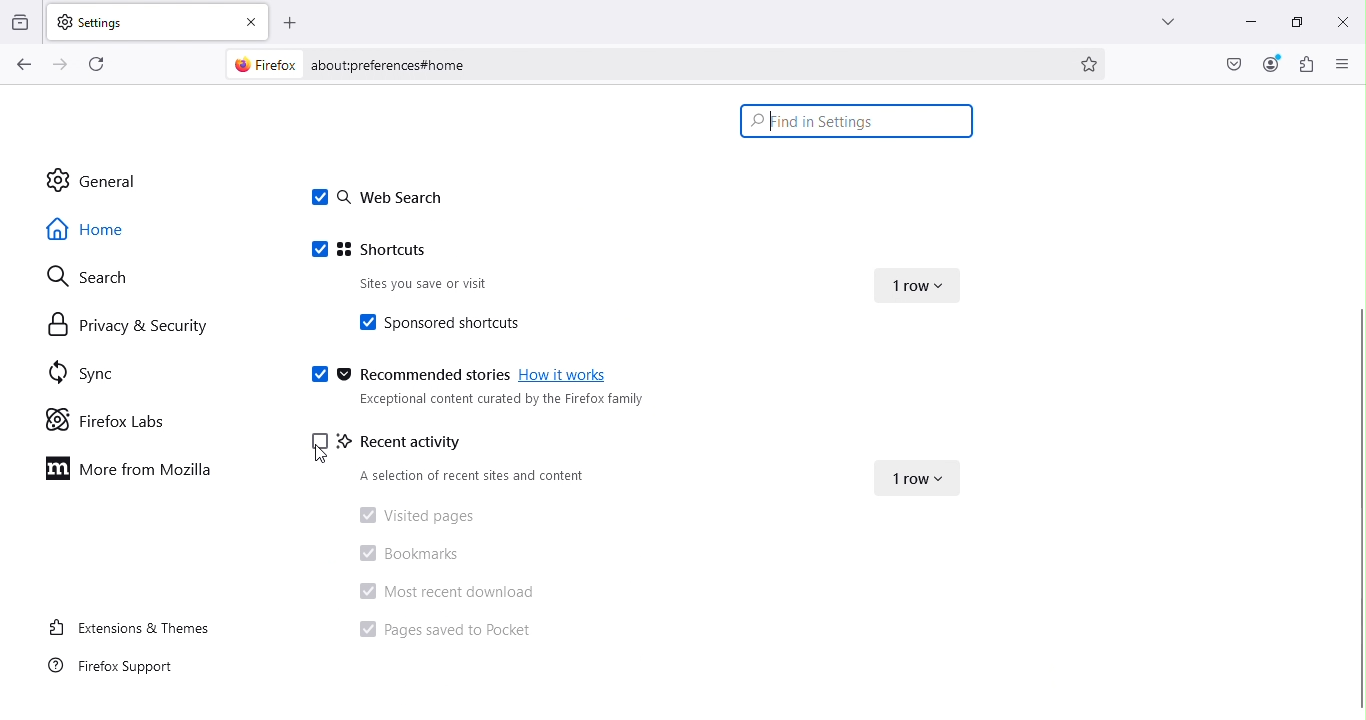 The height and width of the screenshot is (720, 1366). What do you see at coordinates (1340, 19) in the screenshot?
I see `Close` at bounding box center [1340, 19].